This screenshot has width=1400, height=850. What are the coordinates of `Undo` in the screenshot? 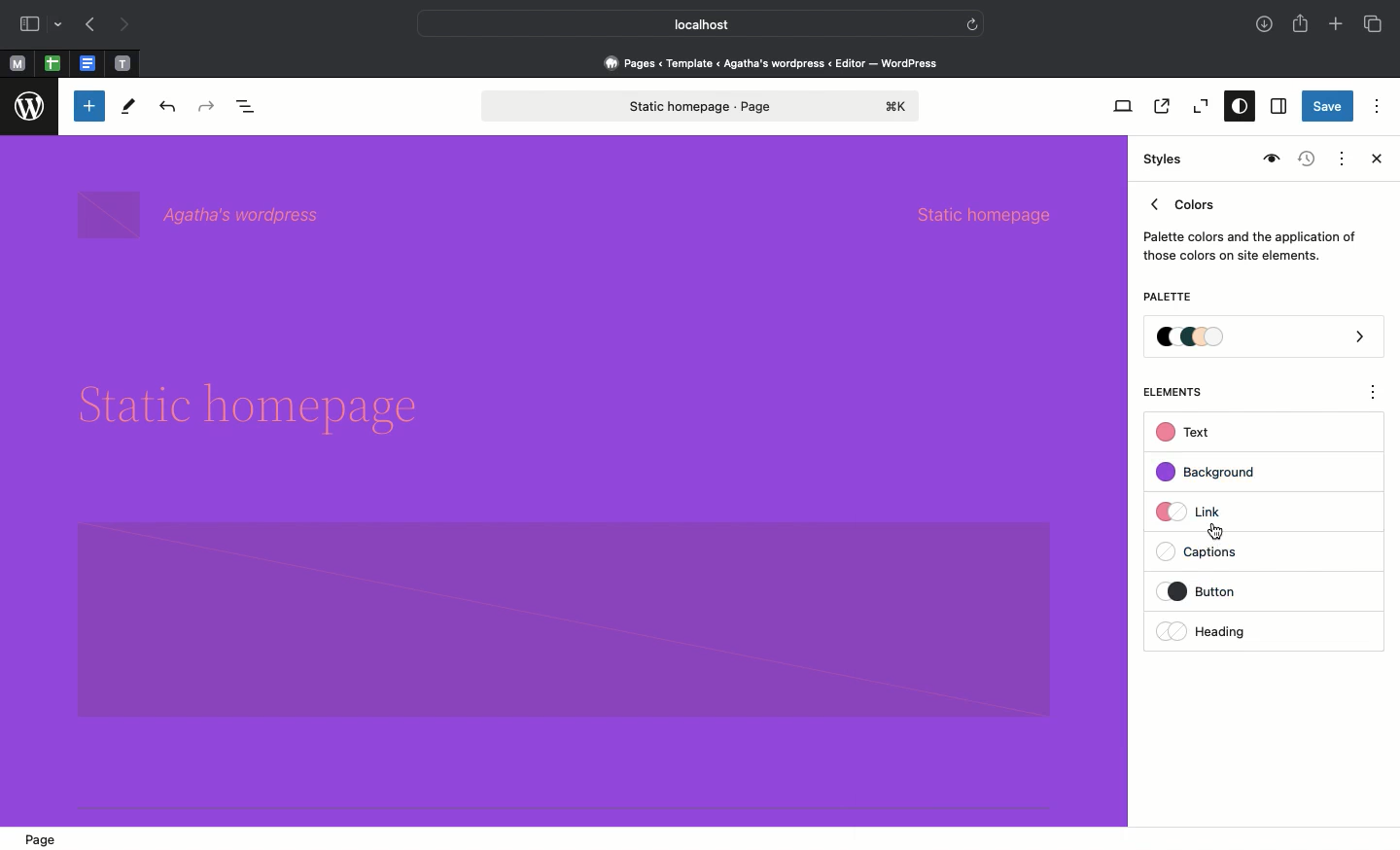 It's located at (167, 108).